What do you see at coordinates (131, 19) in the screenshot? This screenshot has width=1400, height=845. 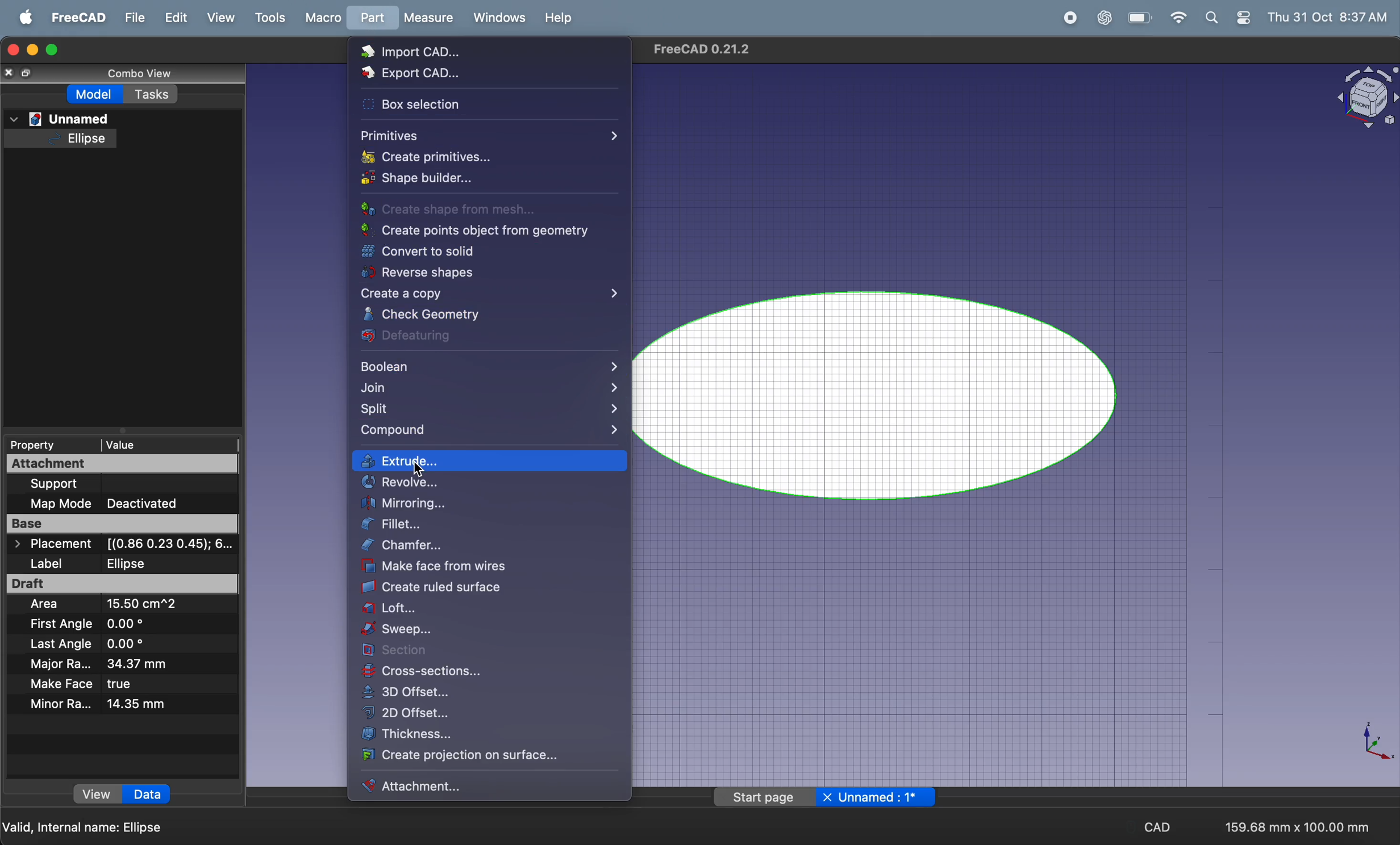 I see `file` at bounding box center [131, 19].